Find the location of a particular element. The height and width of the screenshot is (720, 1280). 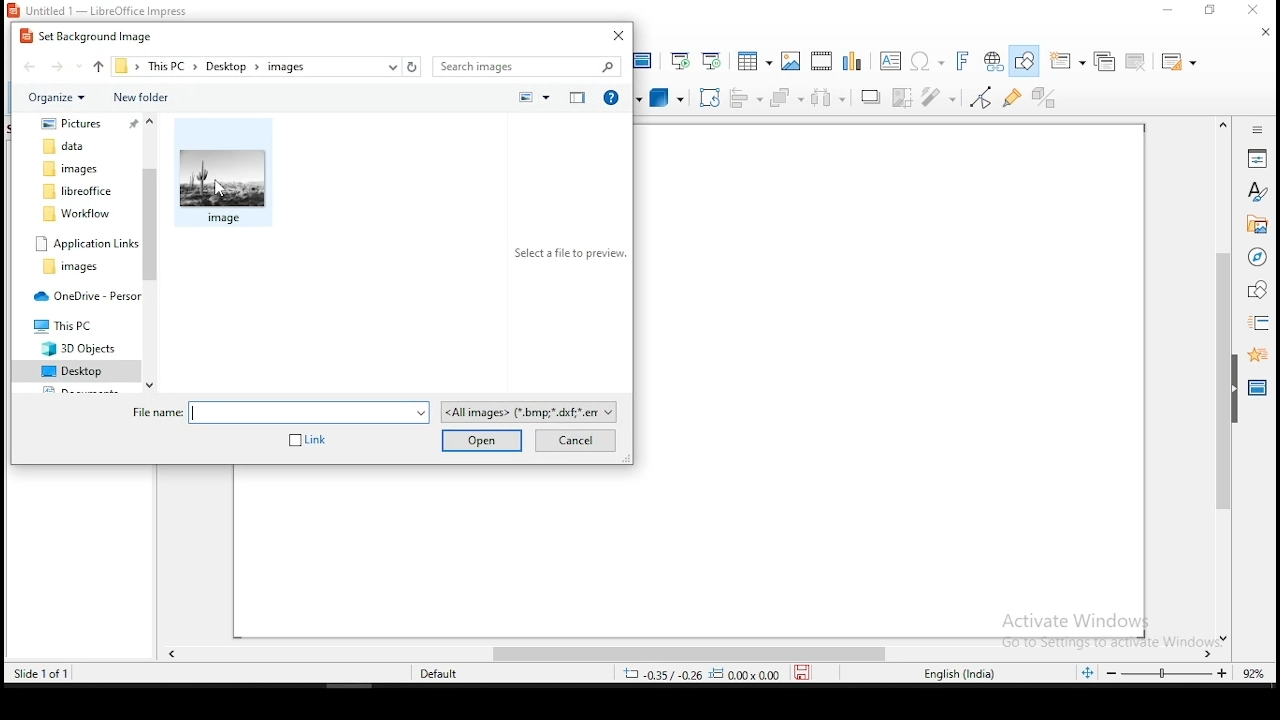

set background image is located at coordinates (89, 35).